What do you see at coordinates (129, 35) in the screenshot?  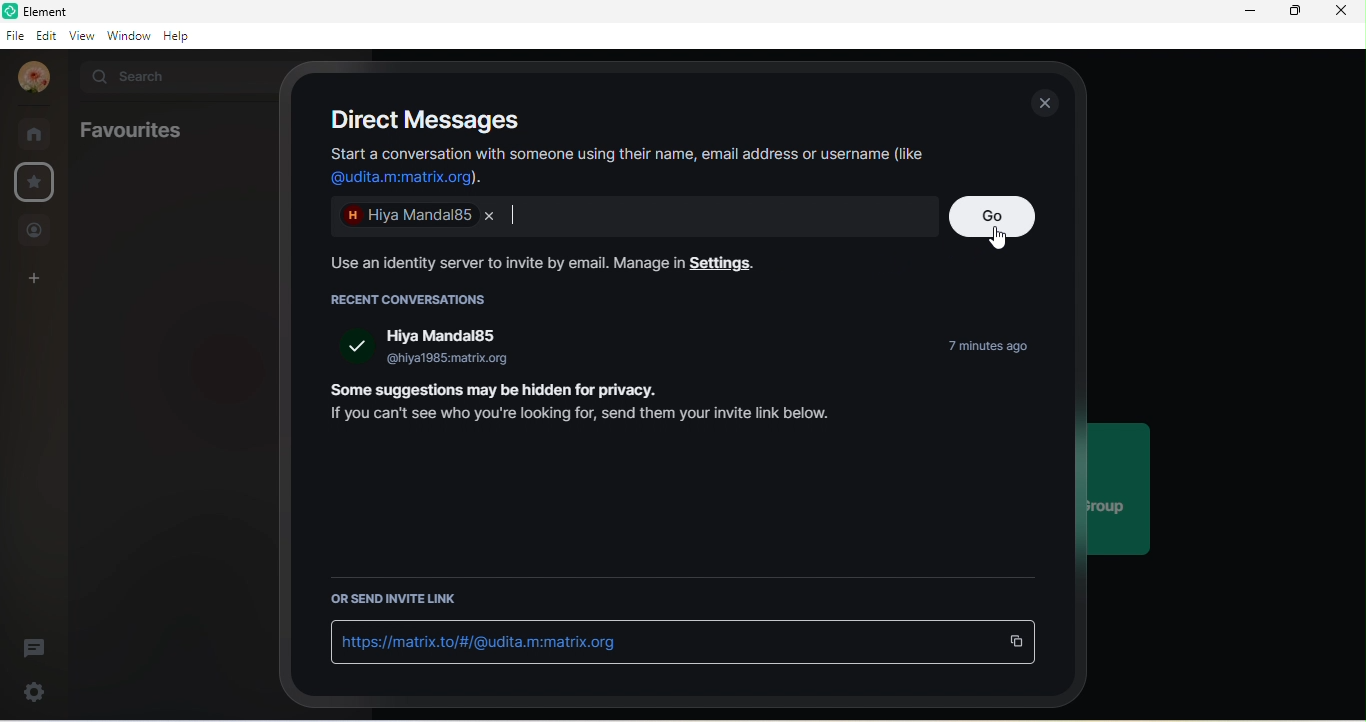 I see `window` at bounding box center [129, 35].